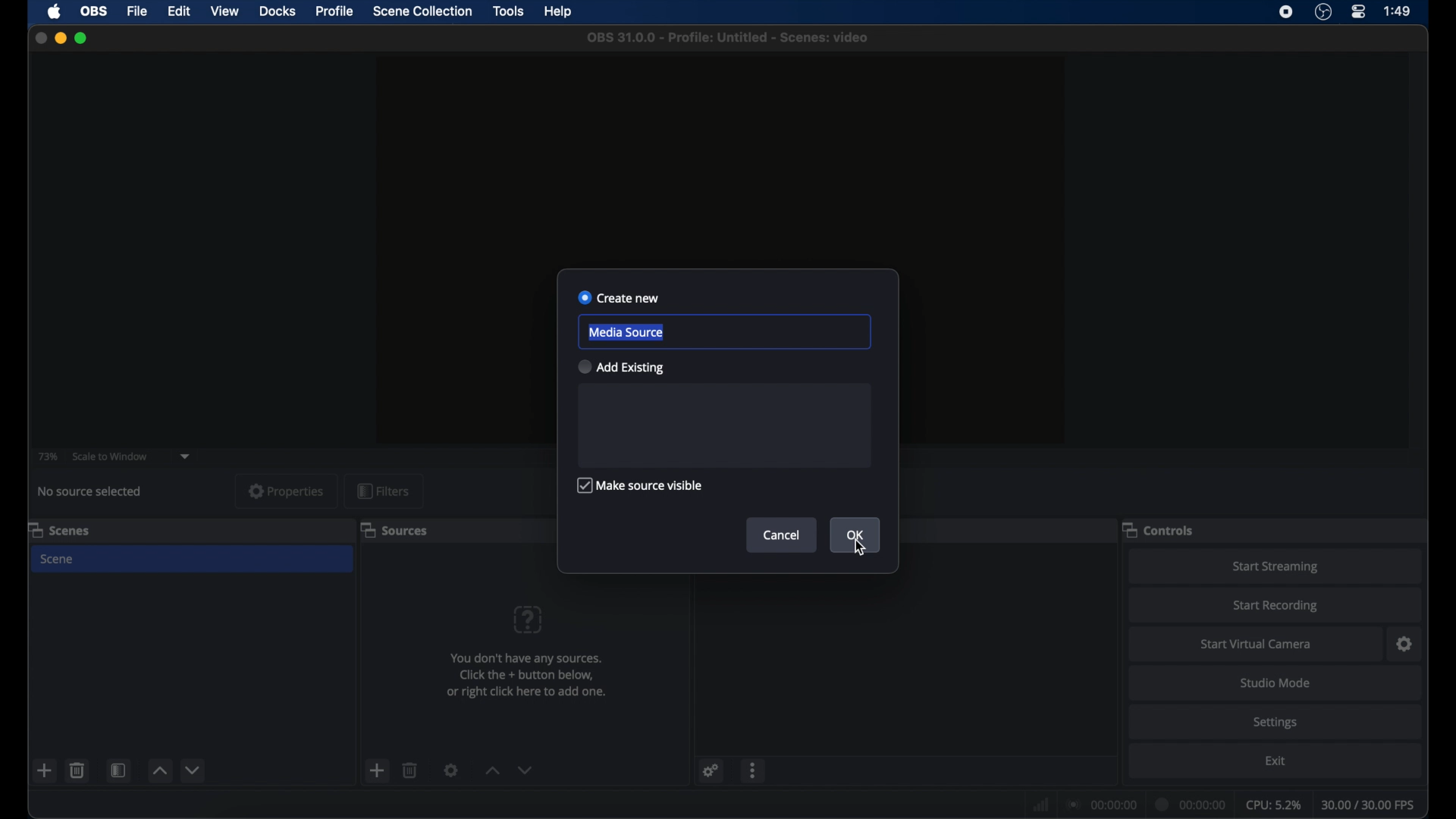 This screenshot has width=1456, height=819. I want to click on control center, so click(1360, 12).